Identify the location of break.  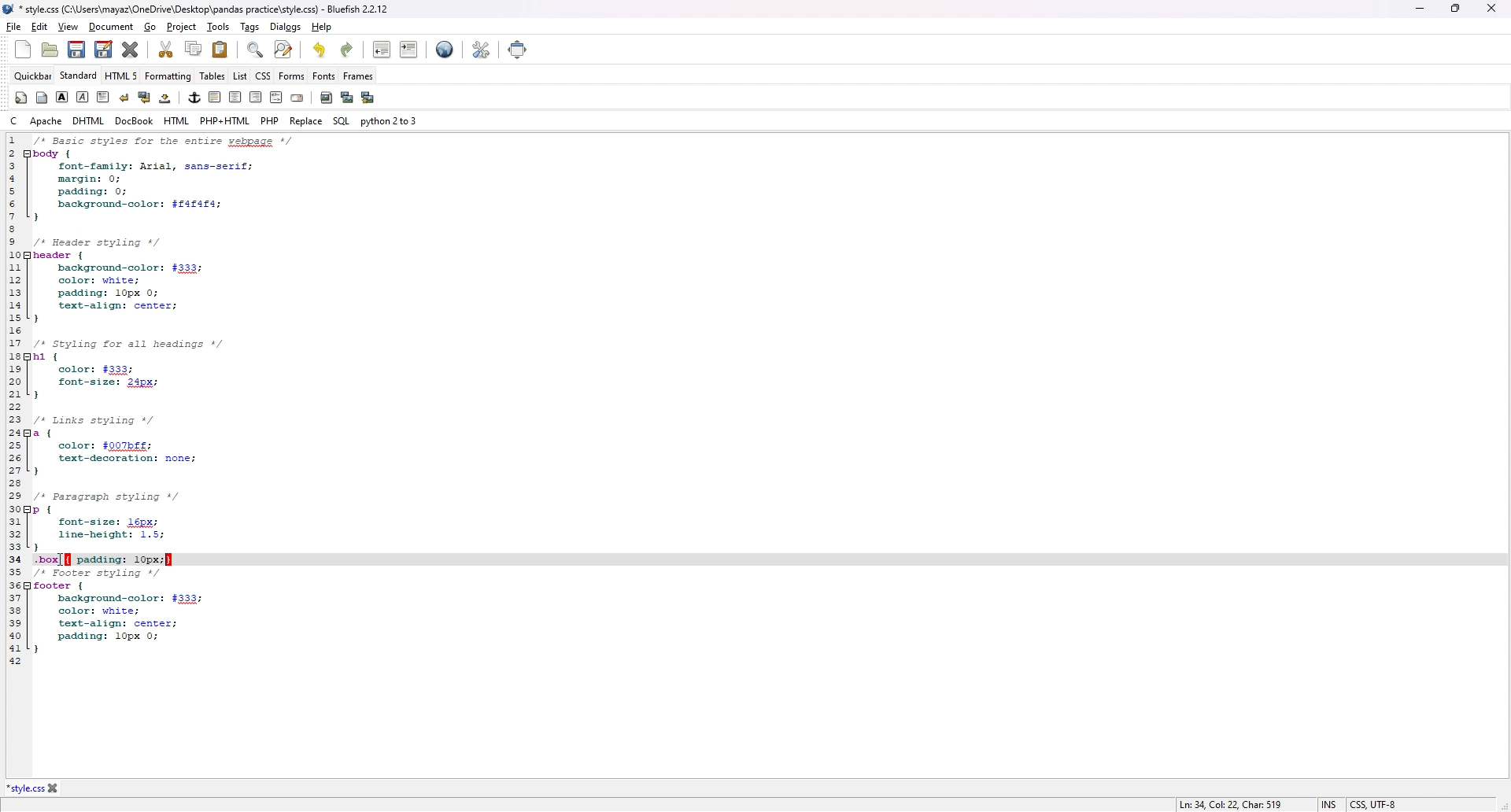
(124, 98).